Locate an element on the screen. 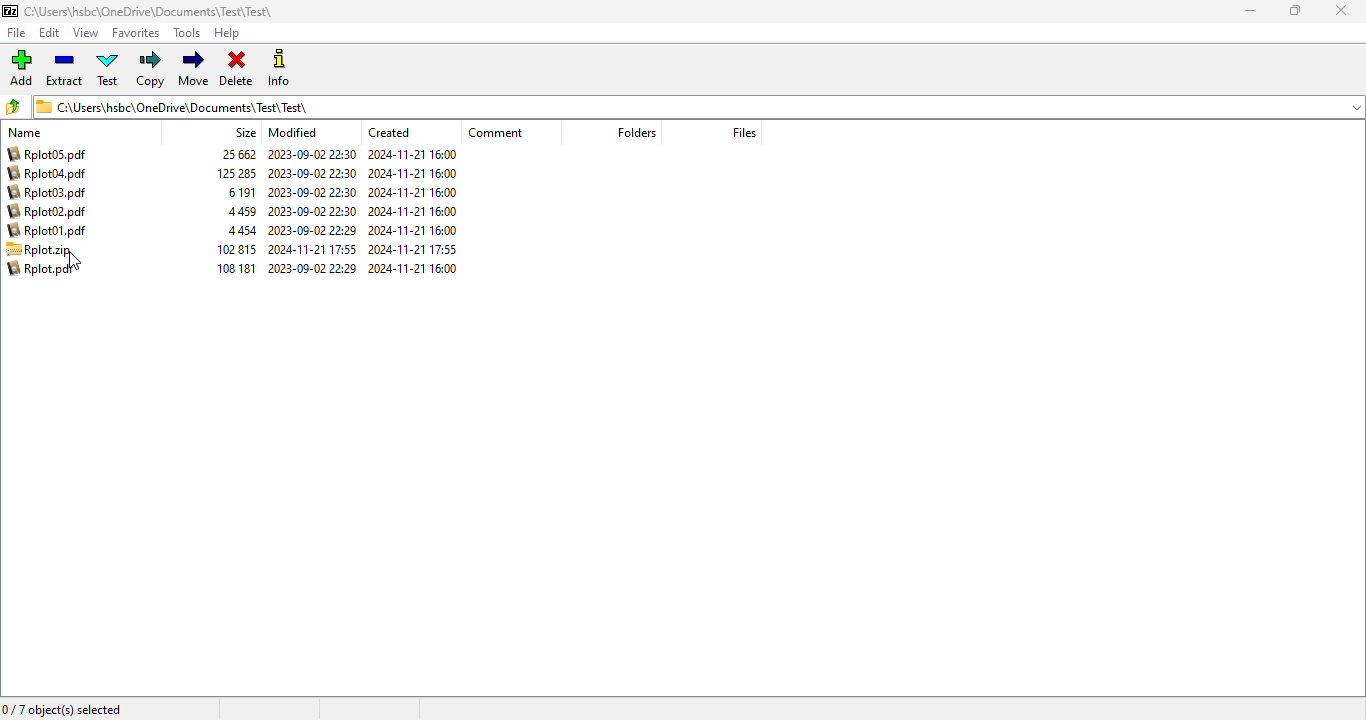 The height and width of the screenshot is (720, 1366). add is located at coordinates (22, 67).